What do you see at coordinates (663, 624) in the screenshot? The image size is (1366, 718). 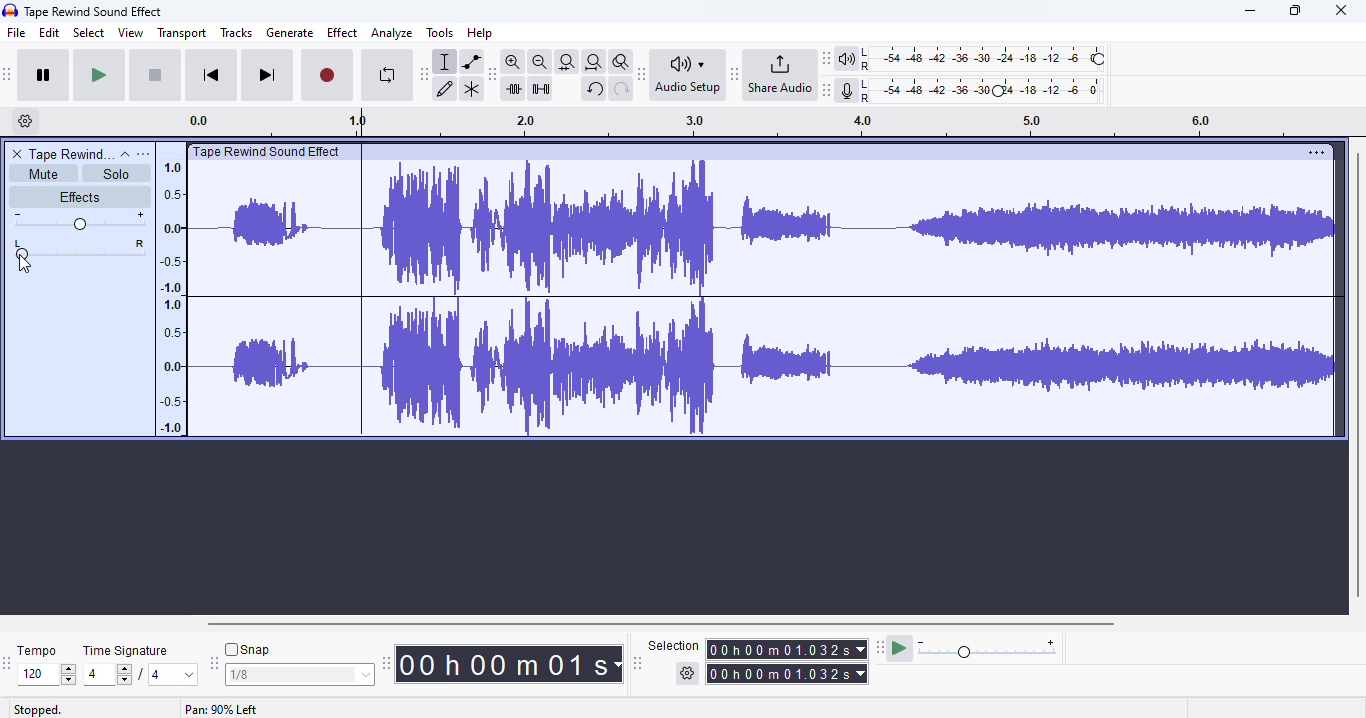 I see `horizontal scroll bar` at bounding box center [663, 624].